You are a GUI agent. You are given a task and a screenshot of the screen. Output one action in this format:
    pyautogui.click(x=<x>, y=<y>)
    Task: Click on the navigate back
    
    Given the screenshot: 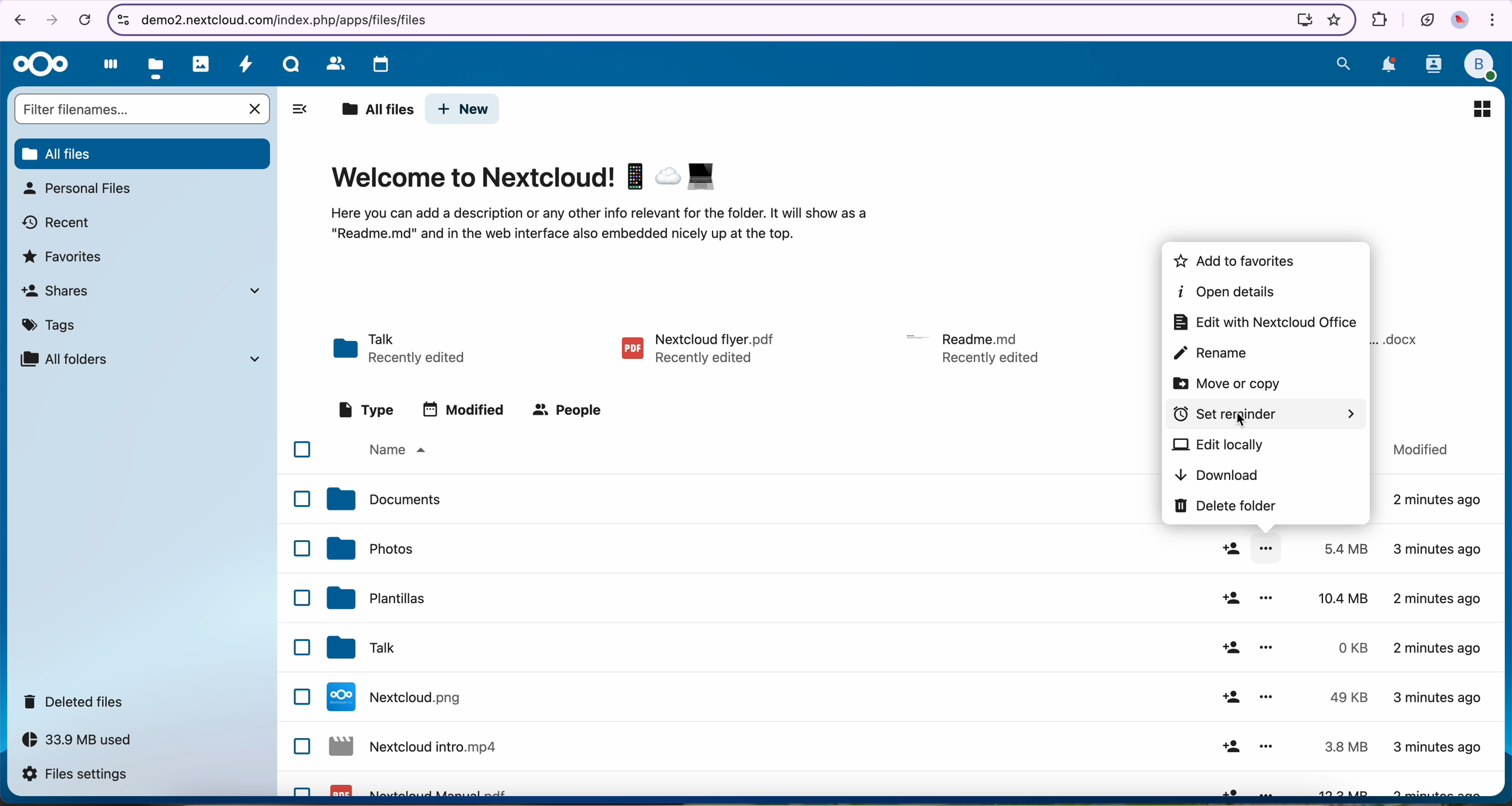 What is the action you would take?
    pyautogui.click(x=17, y=22)
    